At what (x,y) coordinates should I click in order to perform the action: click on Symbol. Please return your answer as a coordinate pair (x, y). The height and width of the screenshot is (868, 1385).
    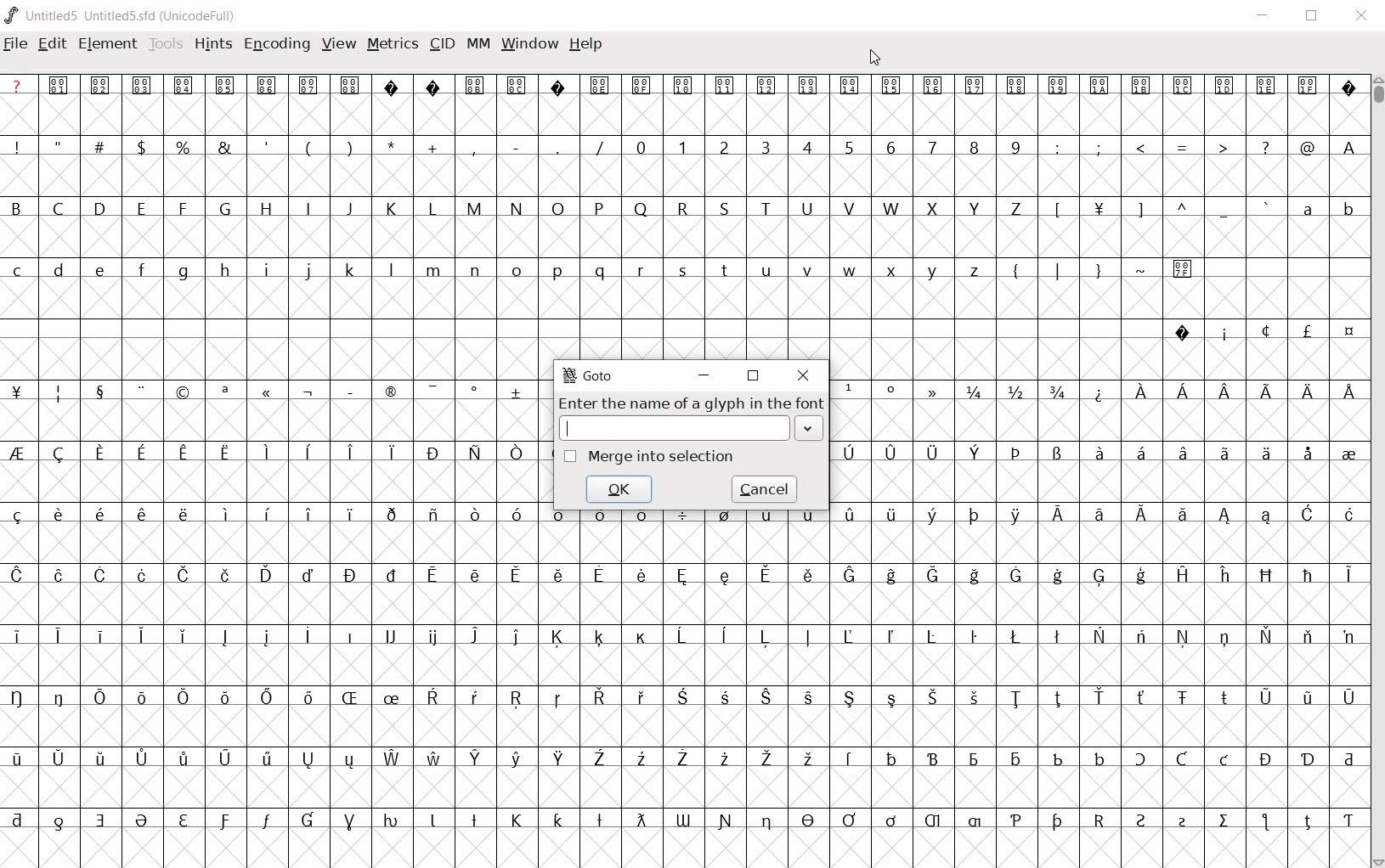
    Looking at the image, I should click on (890, 636).